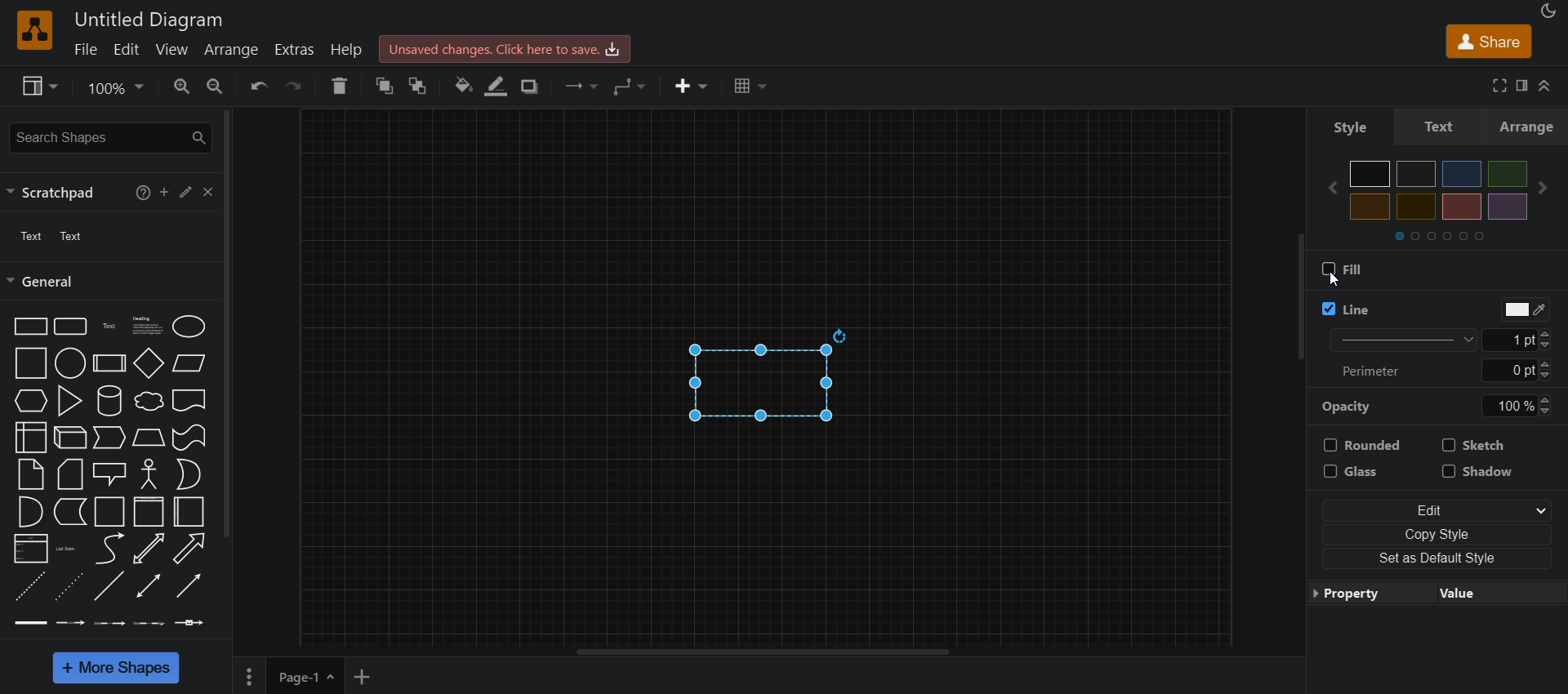 This screenshot has width=1568, height=694. I want to click on zoom, so click(118, 87).